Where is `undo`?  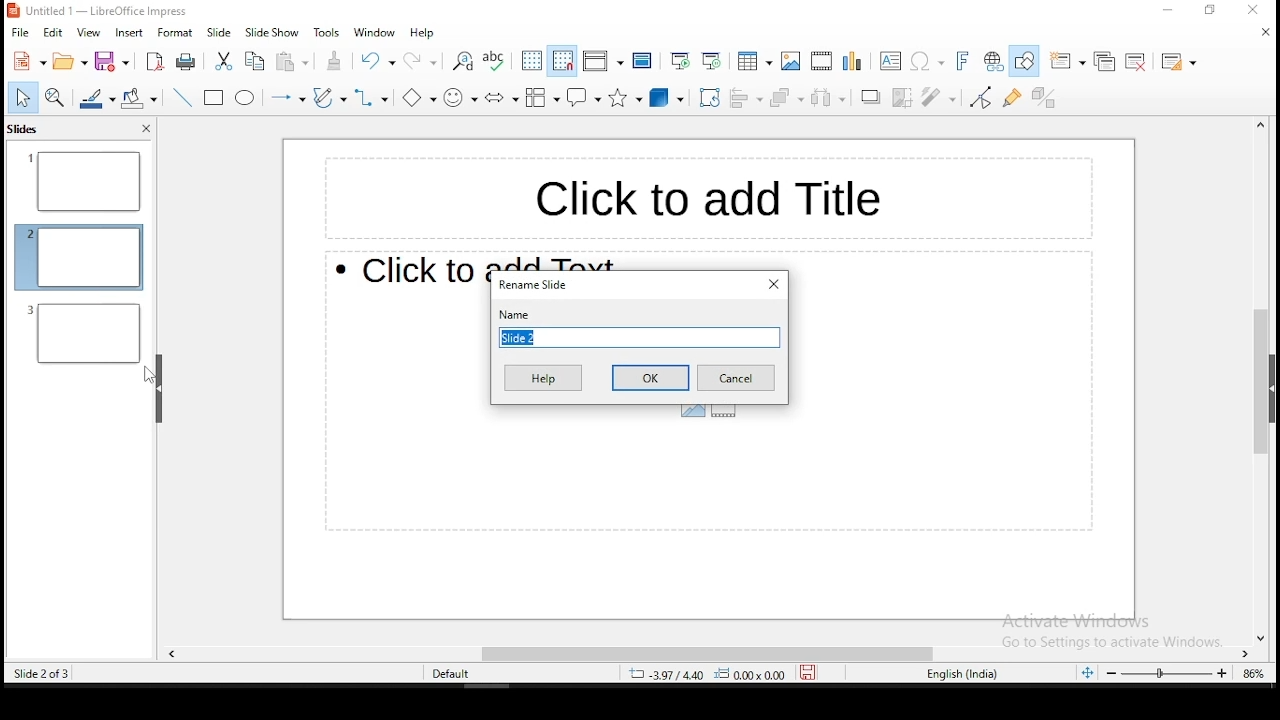 undo is located at coordinates (376, 61).